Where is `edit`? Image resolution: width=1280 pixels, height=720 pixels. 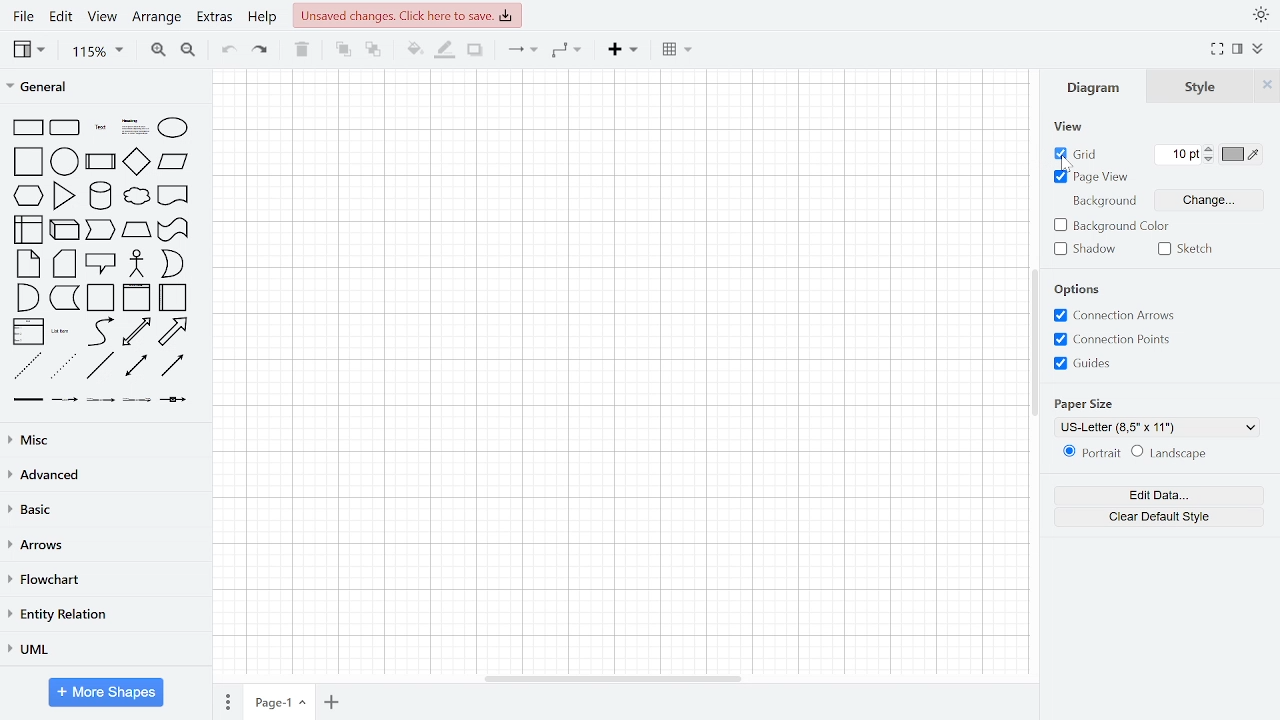 edit is located at coordinates (62, 16).